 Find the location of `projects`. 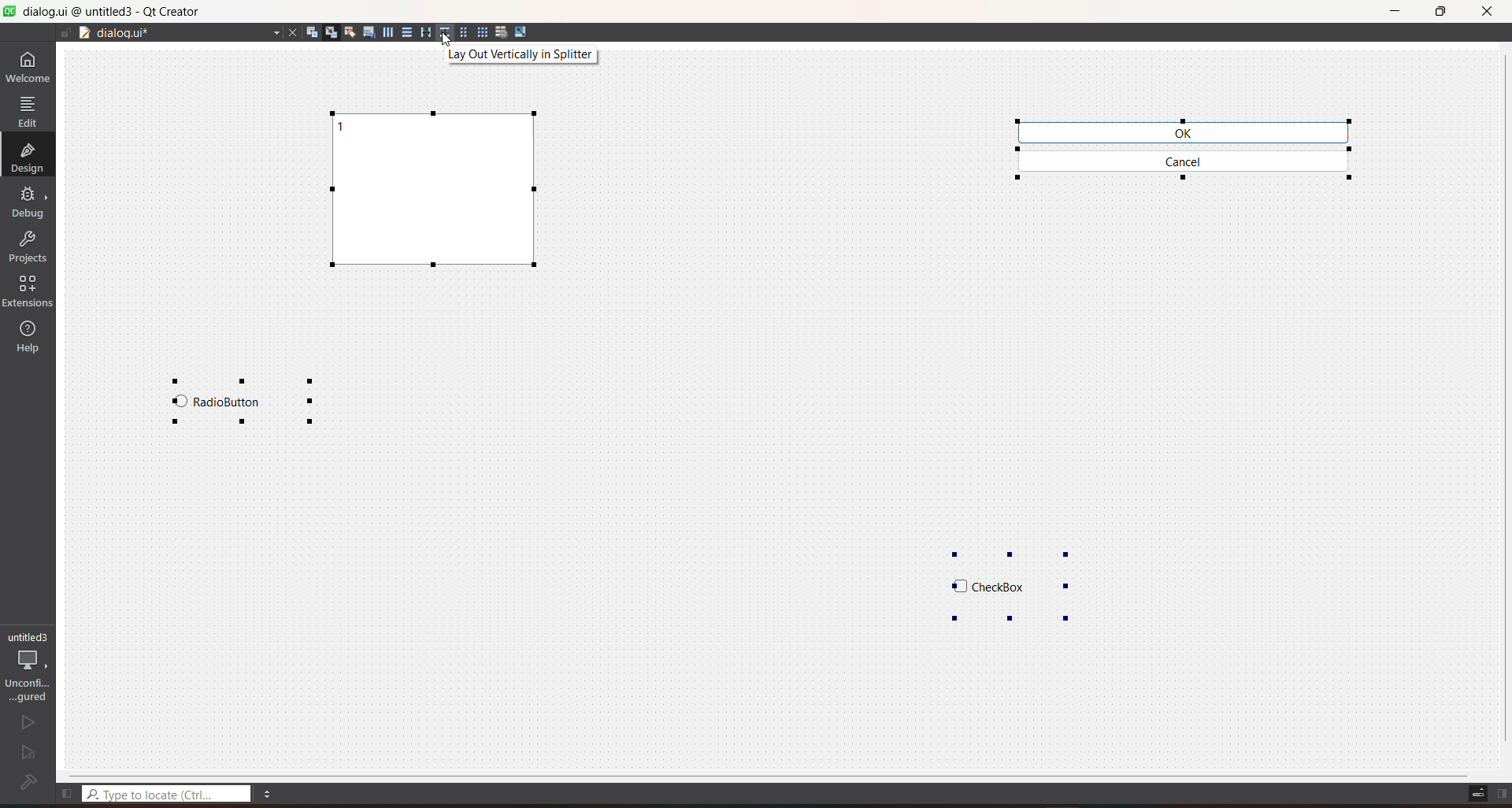

projects is located at coordinates (31, 244).